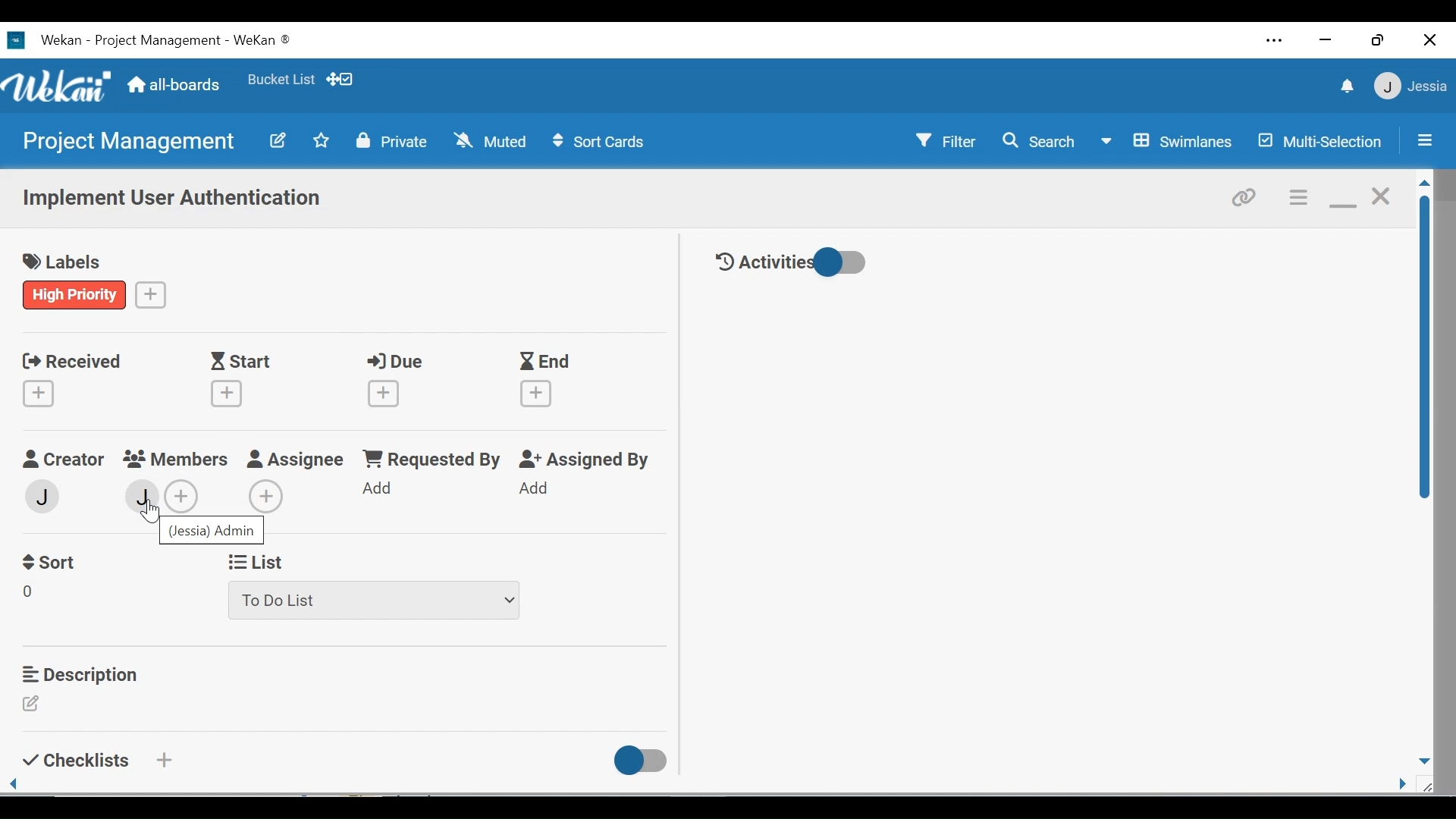 This screenshot has width=1456, height=819. Describe the element at coordinates (1423, 184) in the screenshot. I see `move up` at that location.